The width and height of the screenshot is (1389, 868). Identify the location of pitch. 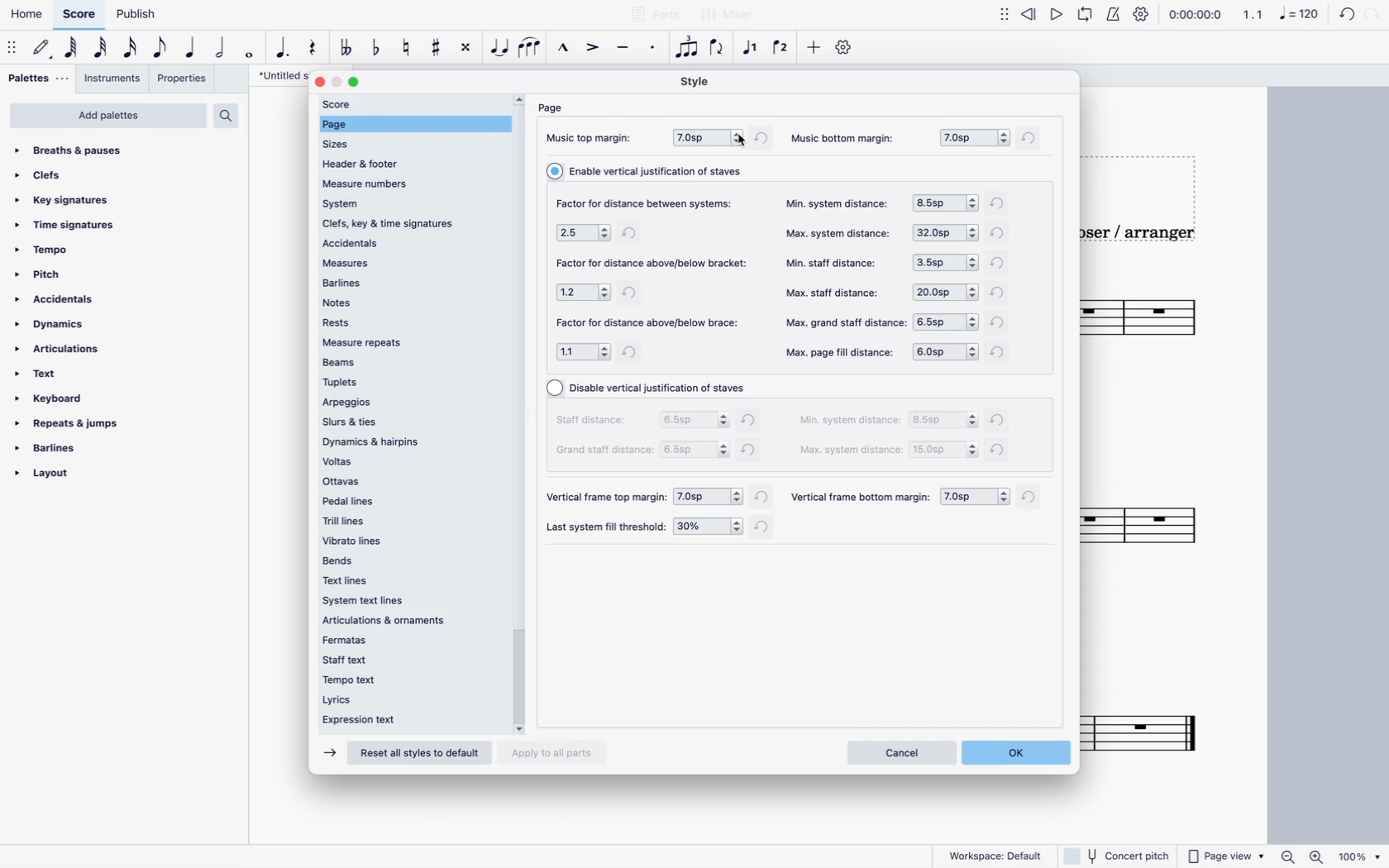
(45, 274).